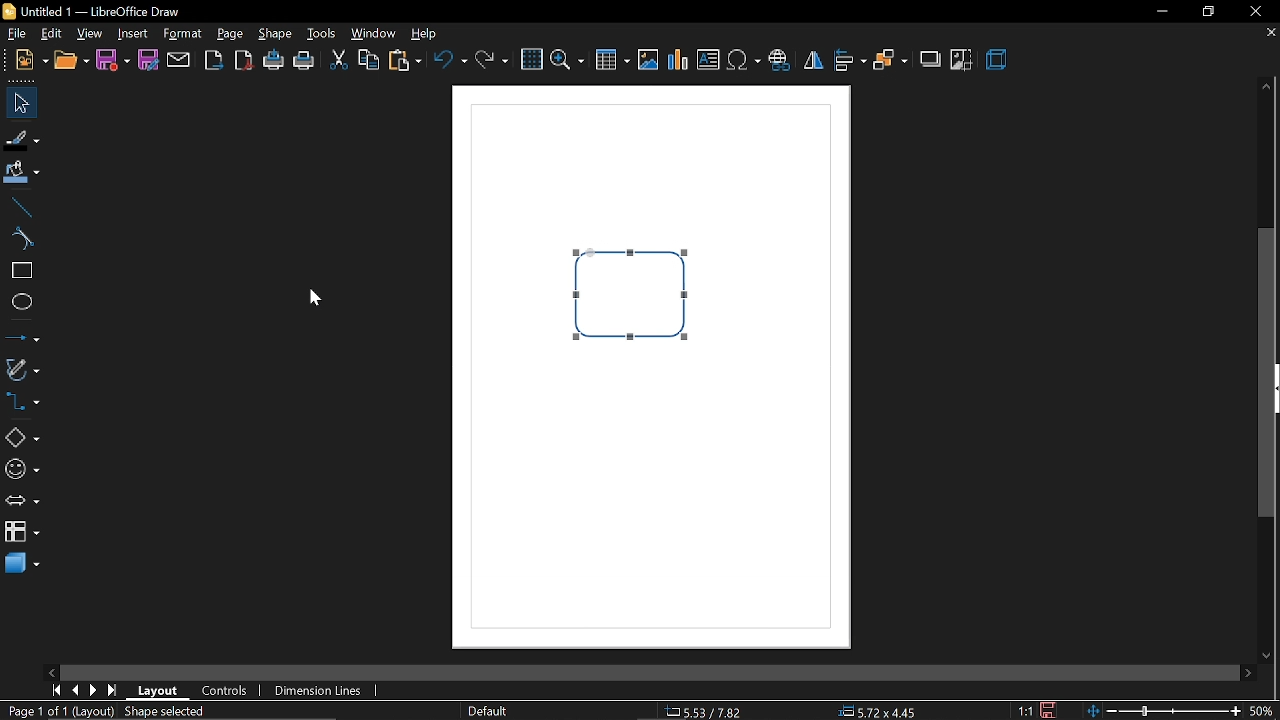 This screenshot has width=1280, height=720. What do you see at coordinates (22, 563) in the screenshot?
I see `3d shapes` at bounding box center [22, 563].